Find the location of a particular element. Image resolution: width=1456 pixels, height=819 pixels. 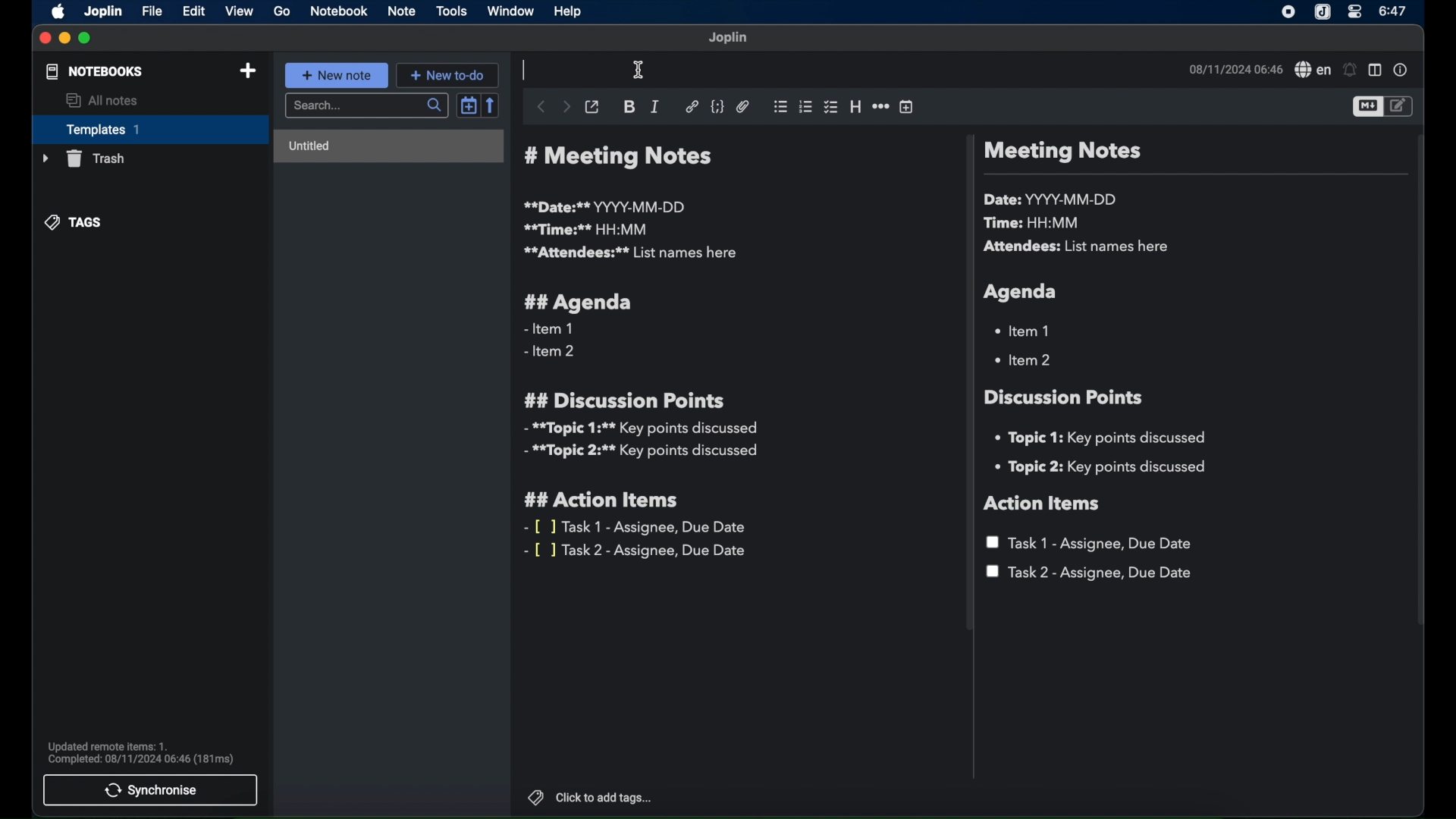

Joplin is located at coordinates (729, 38).